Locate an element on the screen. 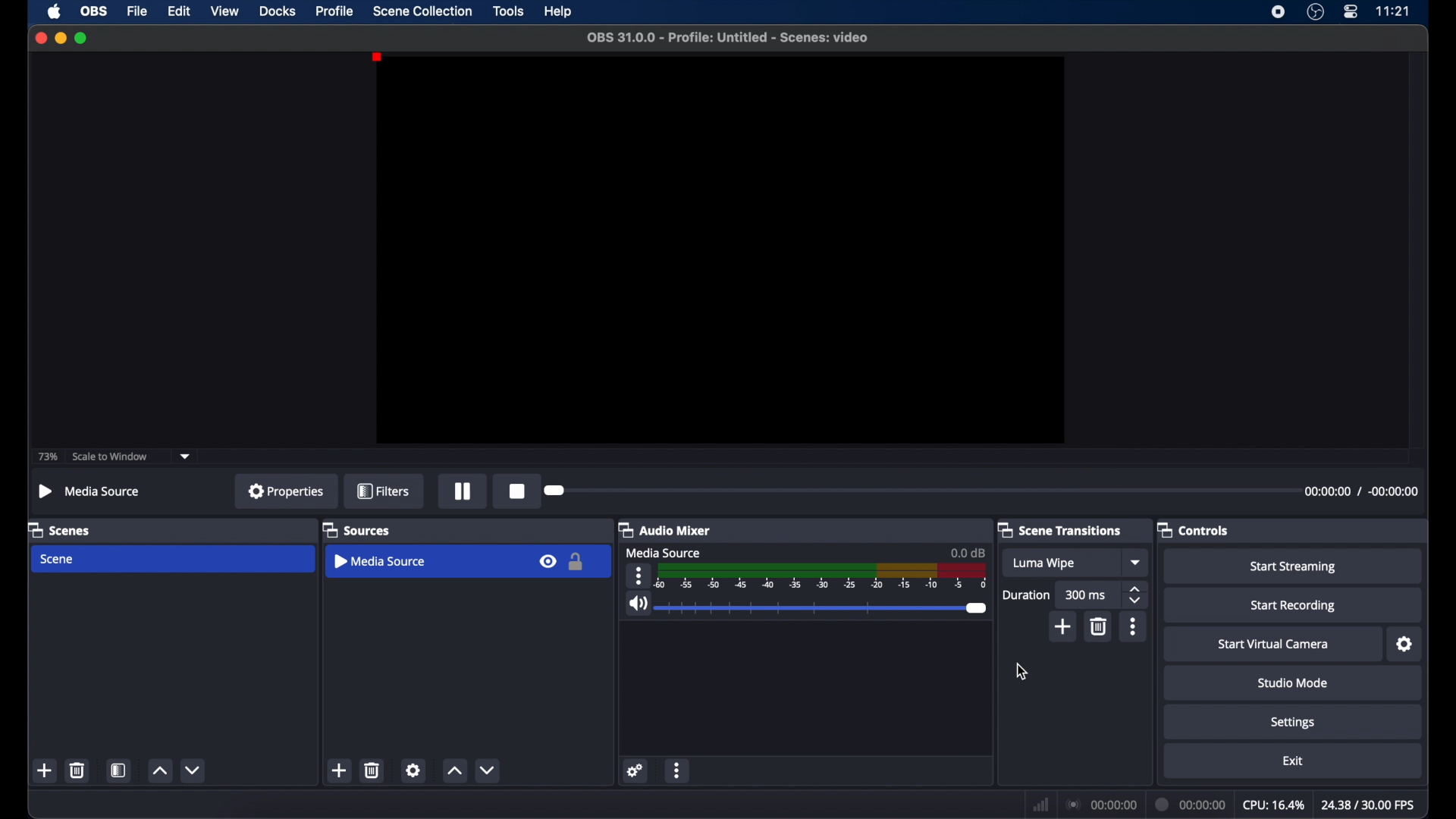 The width and height of the screenshot is (1456, 819). audio mixer is located at coordinates (664, 529).